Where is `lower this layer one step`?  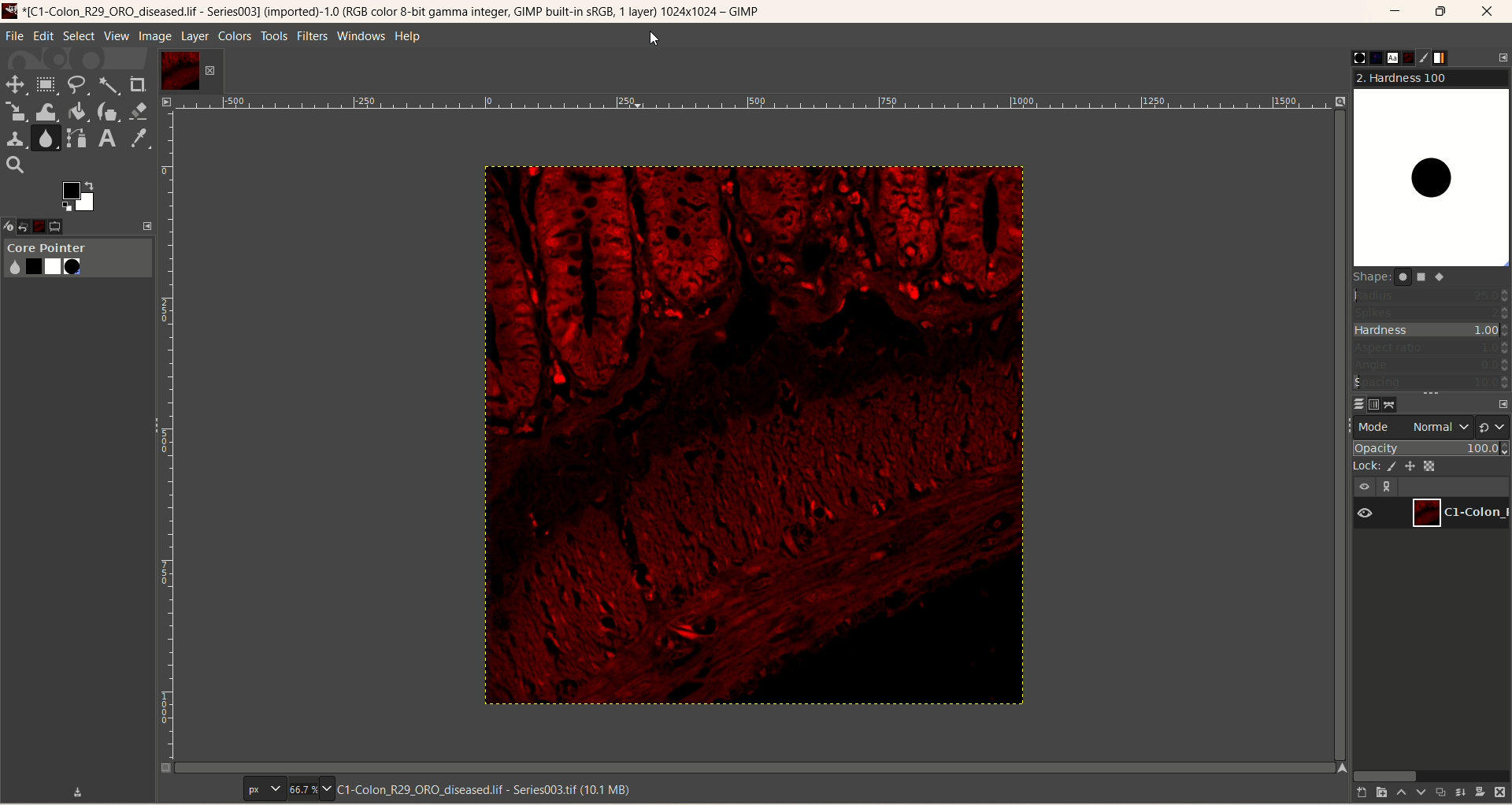 lower this layer one step is located at coordinates (1418, 794).